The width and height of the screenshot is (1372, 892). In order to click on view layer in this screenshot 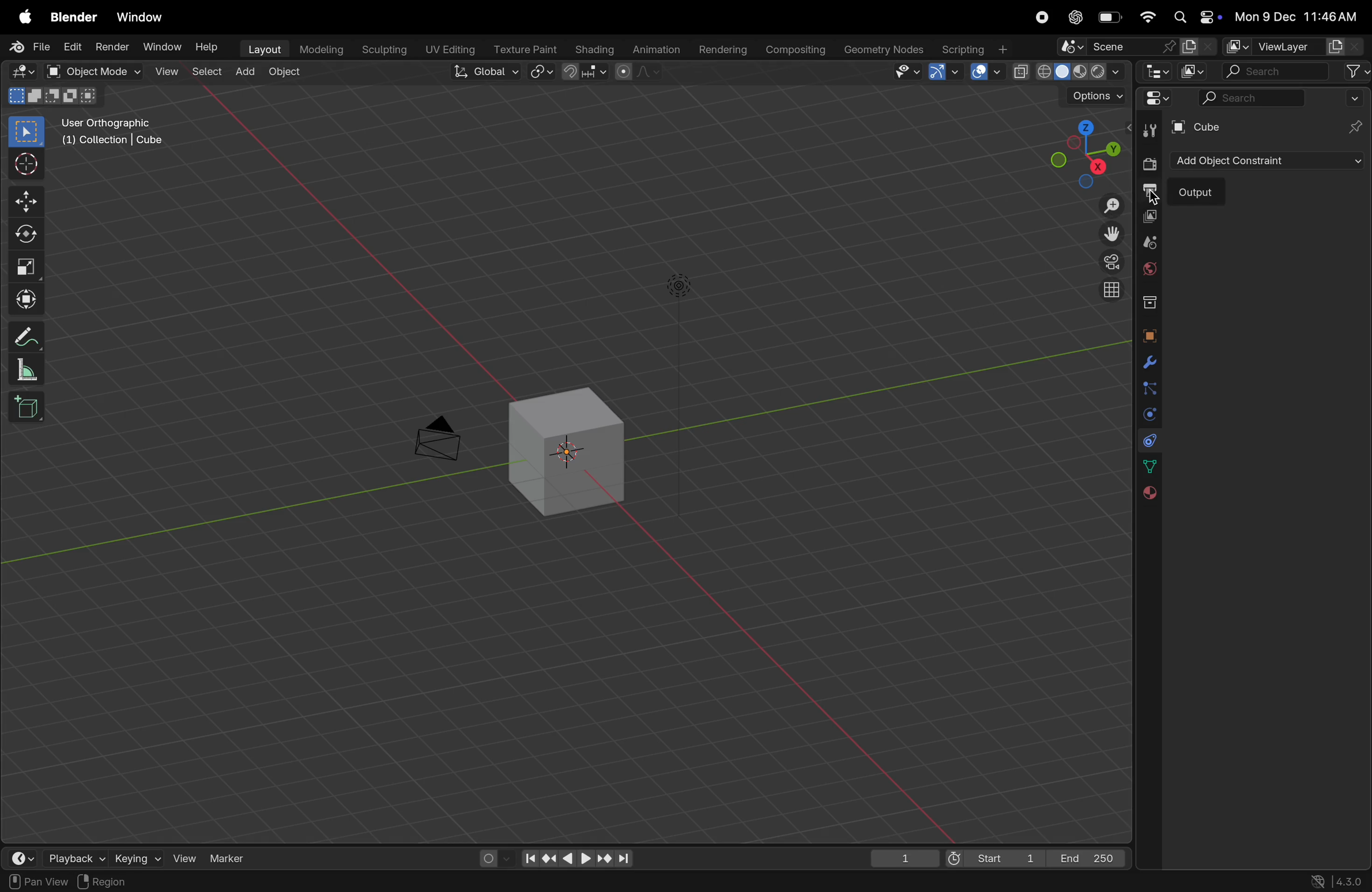, I will do `click(1292, 47)`.